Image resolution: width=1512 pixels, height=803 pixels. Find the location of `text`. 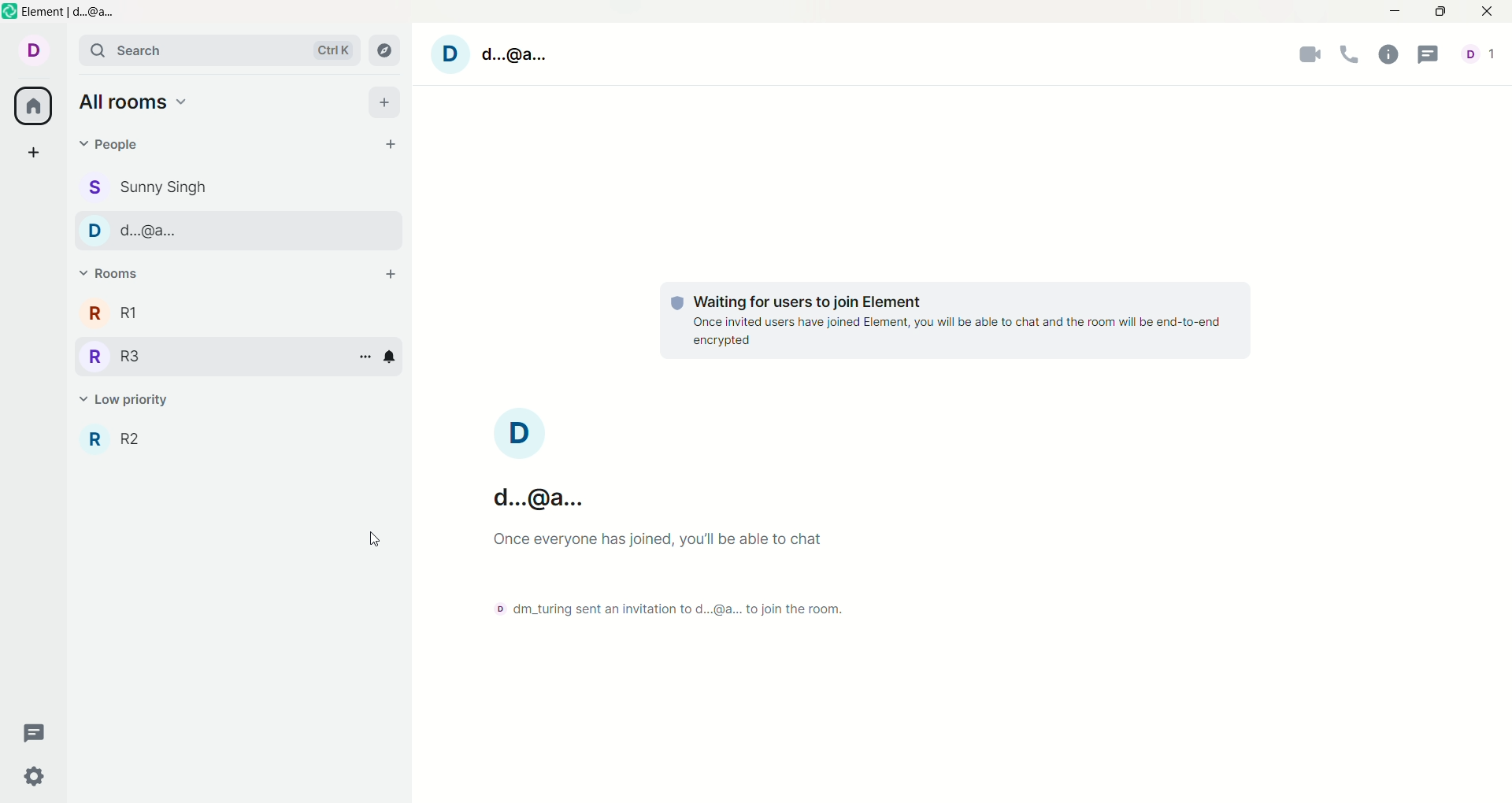

text is located at coordinates (682, 517).